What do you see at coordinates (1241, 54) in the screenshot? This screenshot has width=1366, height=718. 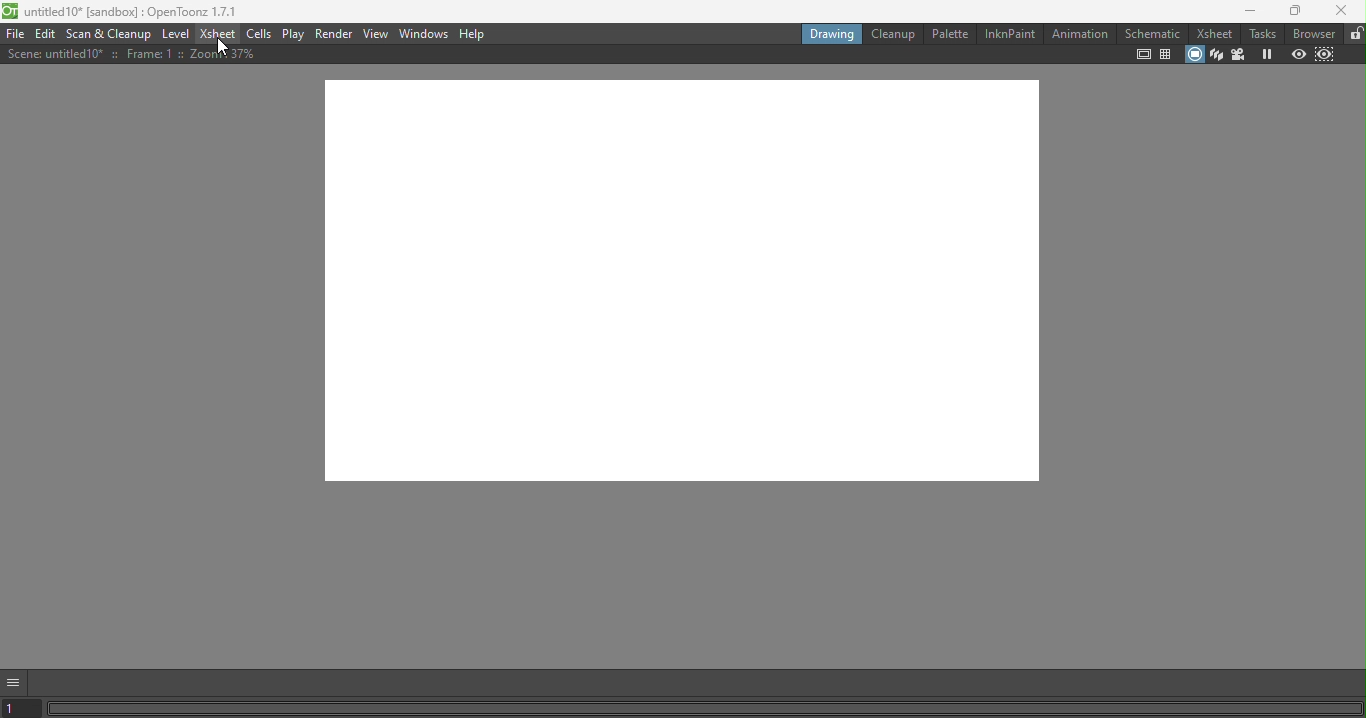 I see `Camera view` at bounding box center [1241, 54].